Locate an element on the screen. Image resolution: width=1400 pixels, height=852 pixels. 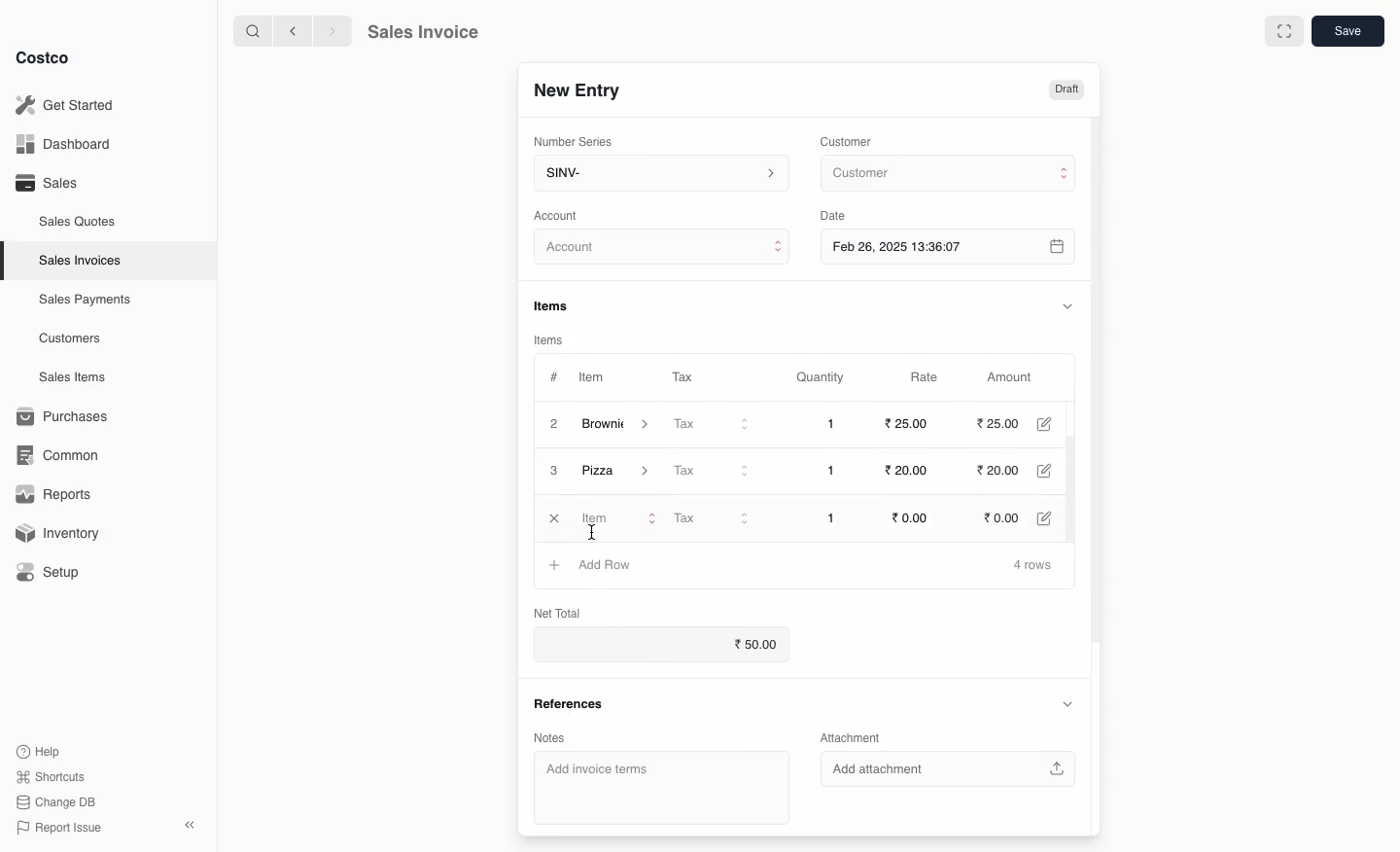
Item is located at coordinates (594, 379).